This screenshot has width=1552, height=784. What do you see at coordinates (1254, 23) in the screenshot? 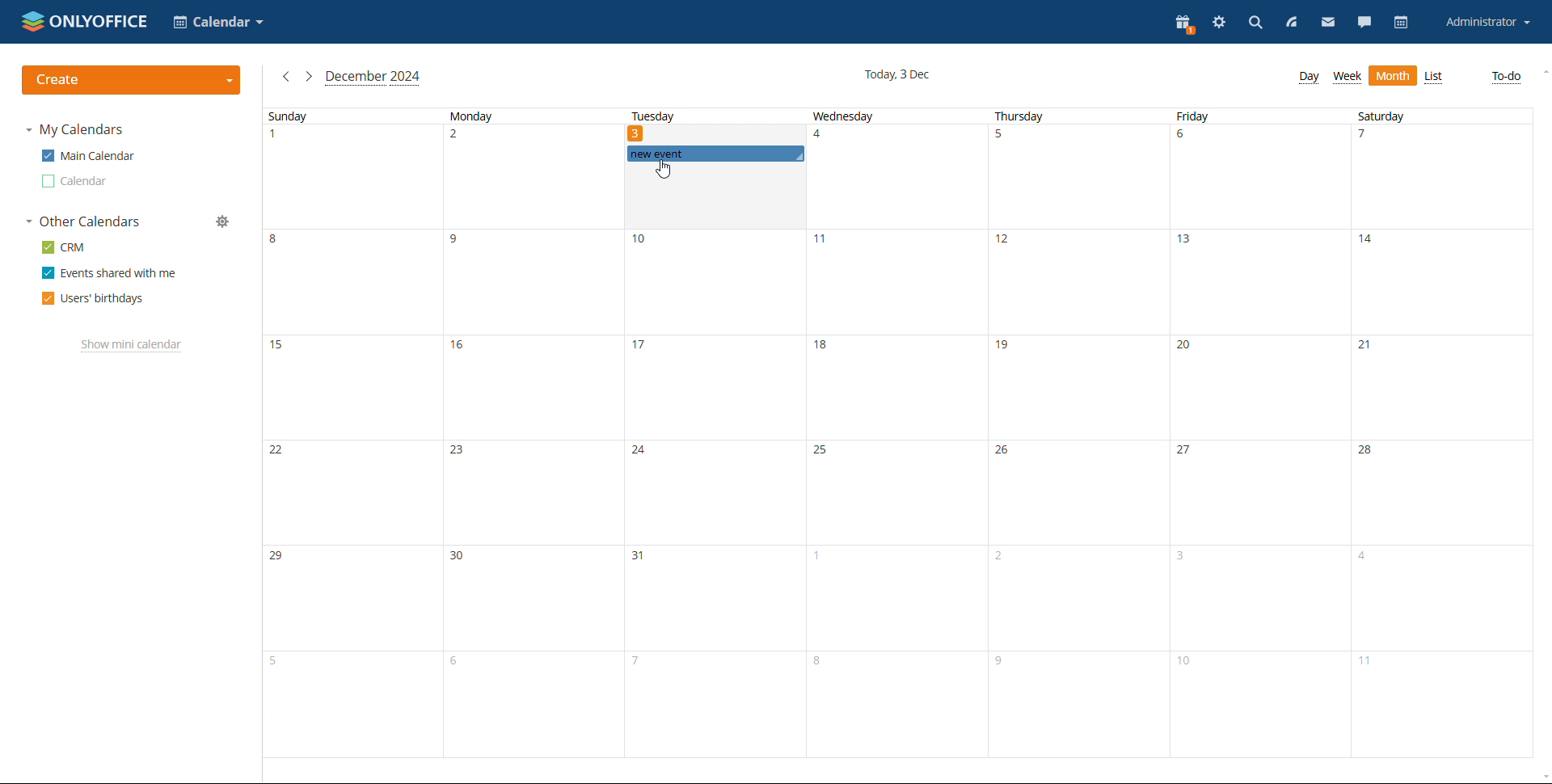
I see `search` at bounding box center [1254, 23].